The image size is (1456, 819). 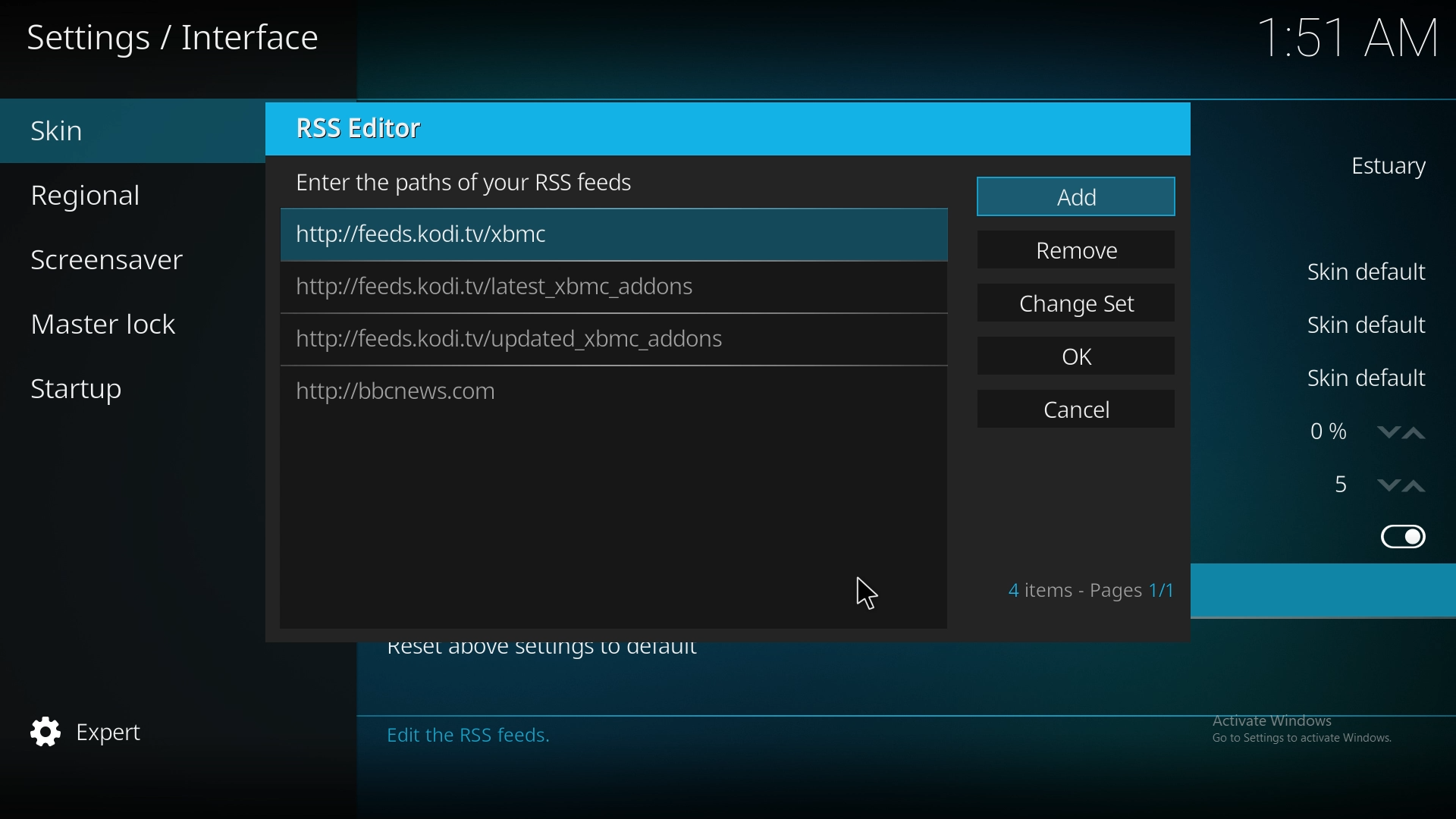 What do you see at coordinates (1078, 250) in the screenshot?
I see `remove` at bounding box center [1078, 250].